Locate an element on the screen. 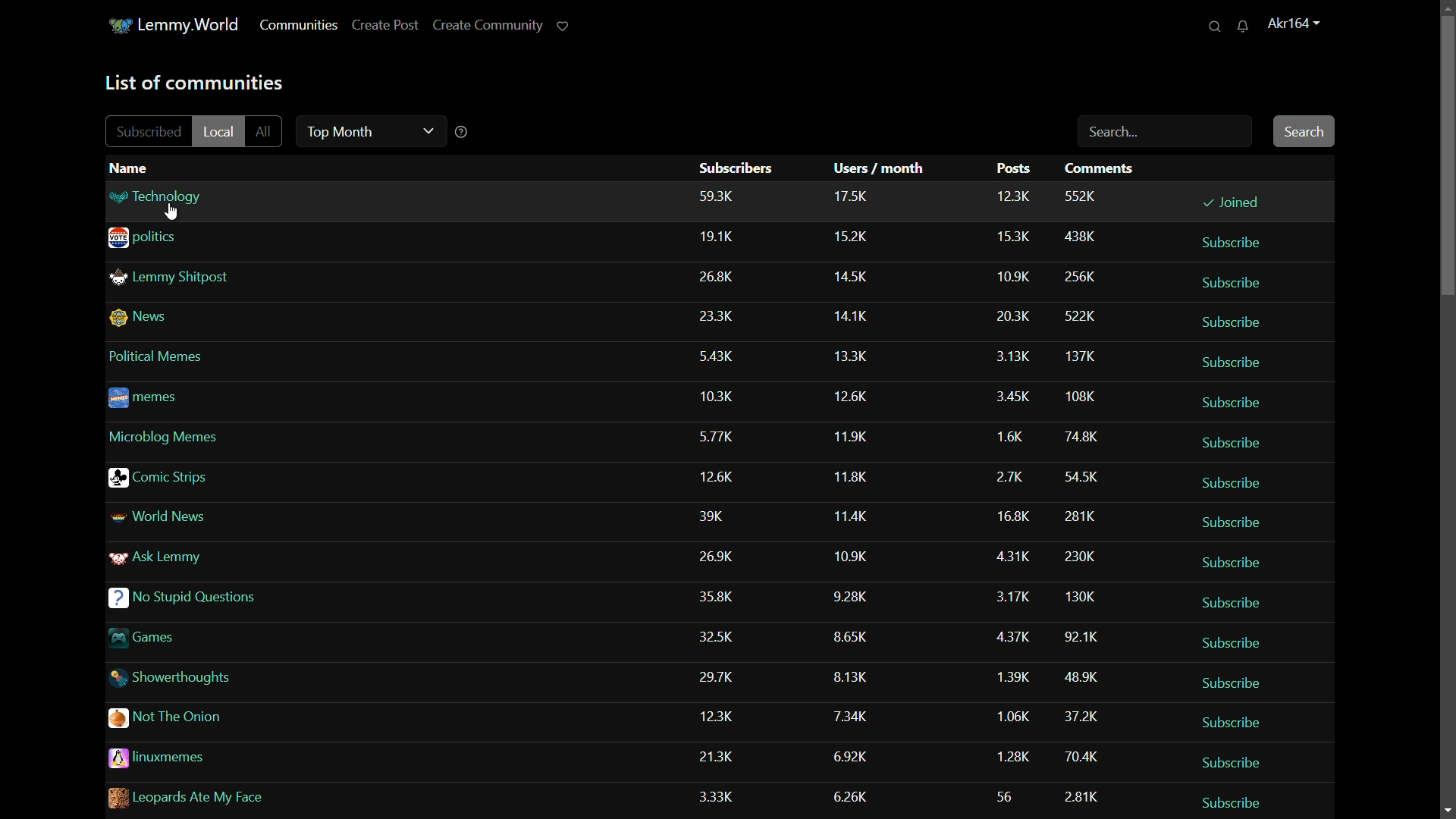  posts is located at coordinates (1014, 170).